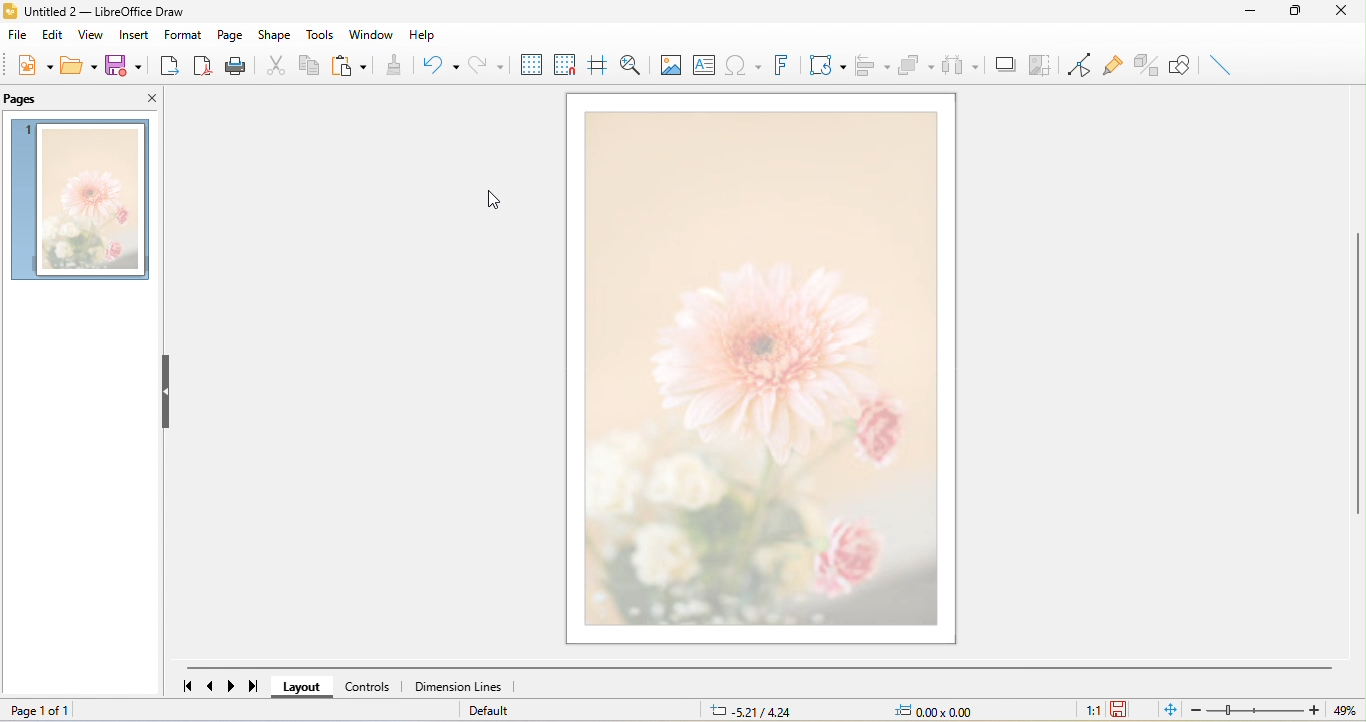 This screenshot has width=1366, height=722. I want to click on align object, so click(870, 65).